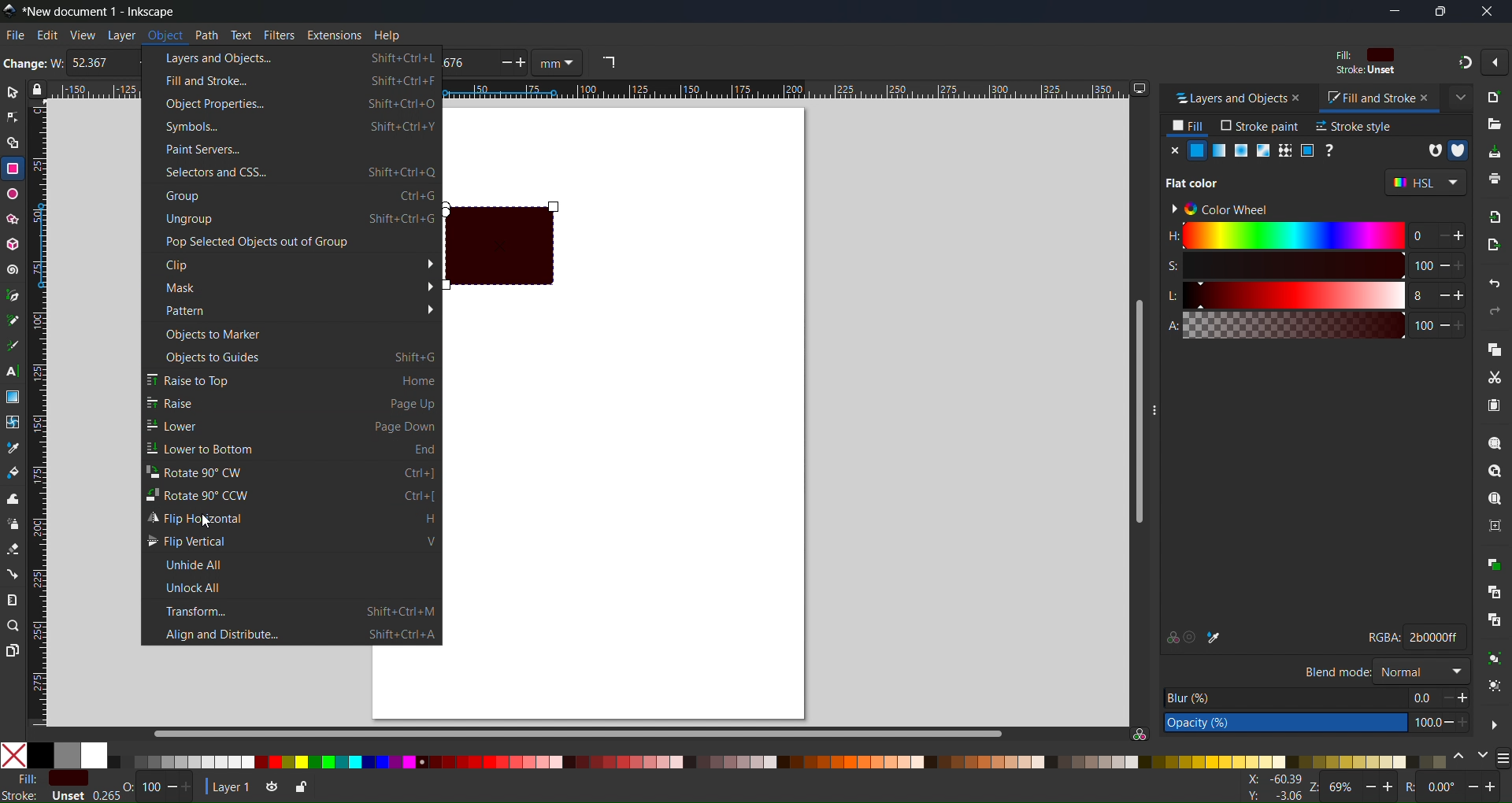 The height and width of the screenshot is (803, 1512). What do you see at coordinates (207, 520) in the screenshot?
I see `Cursor` at bounding box center [207, 520].